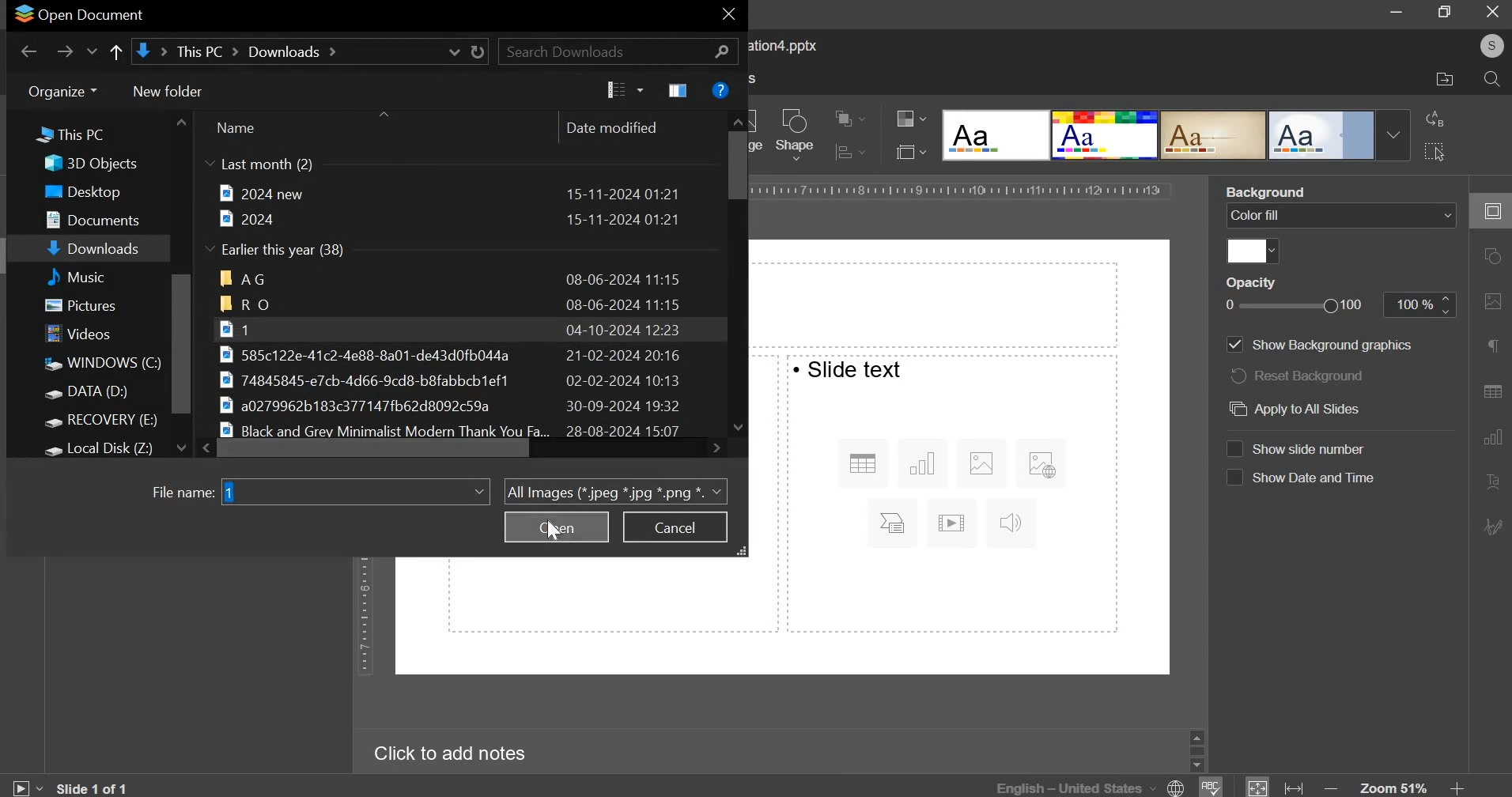 This screenshot has width=1512, height=797. Describe the element at coordinates (449, 219) in the screenshot. I see `file` at that location.